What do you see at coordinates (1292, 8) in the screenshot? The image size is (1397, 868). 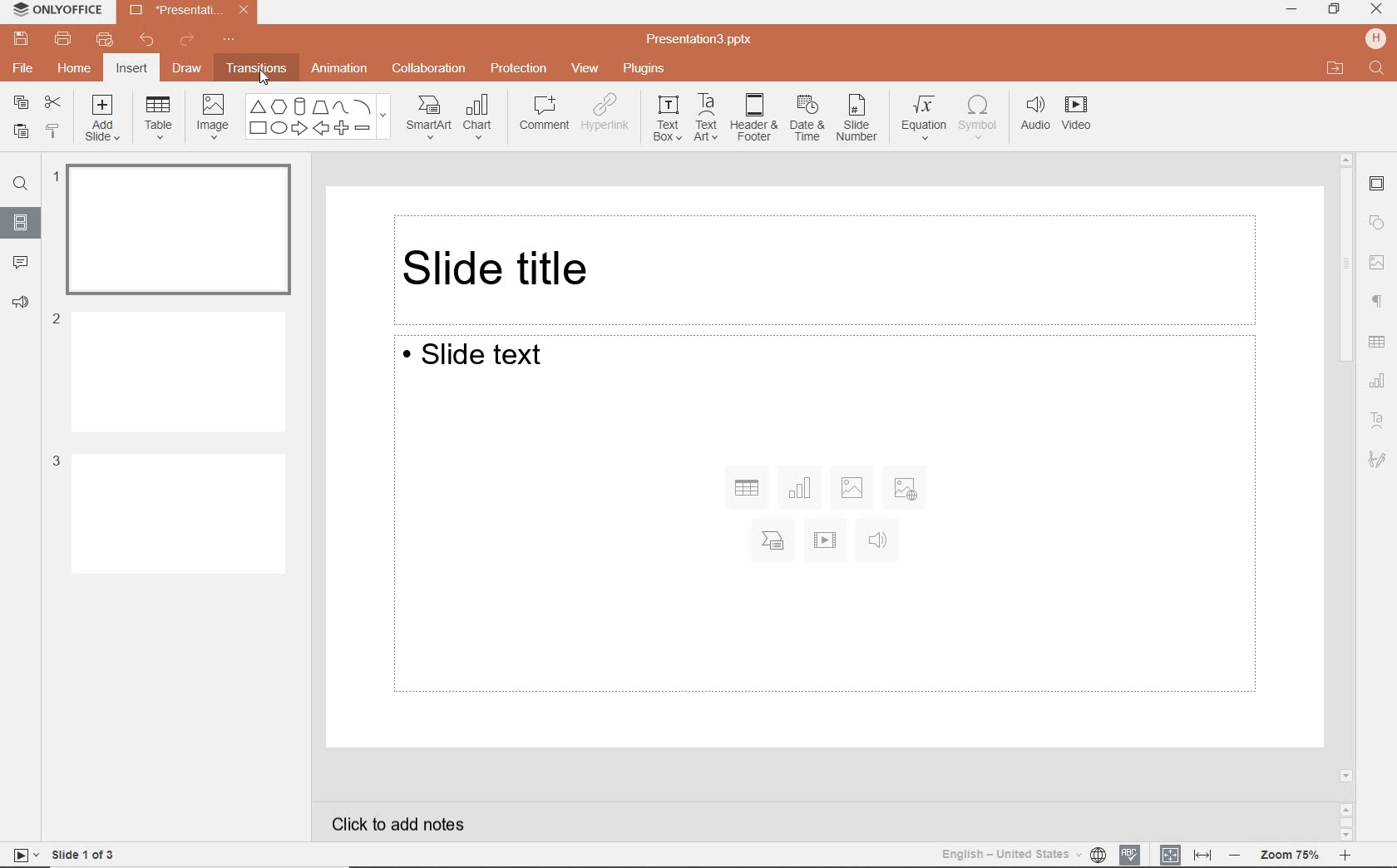 I see `MINIMIZE` at bounding box center [1292, 8].